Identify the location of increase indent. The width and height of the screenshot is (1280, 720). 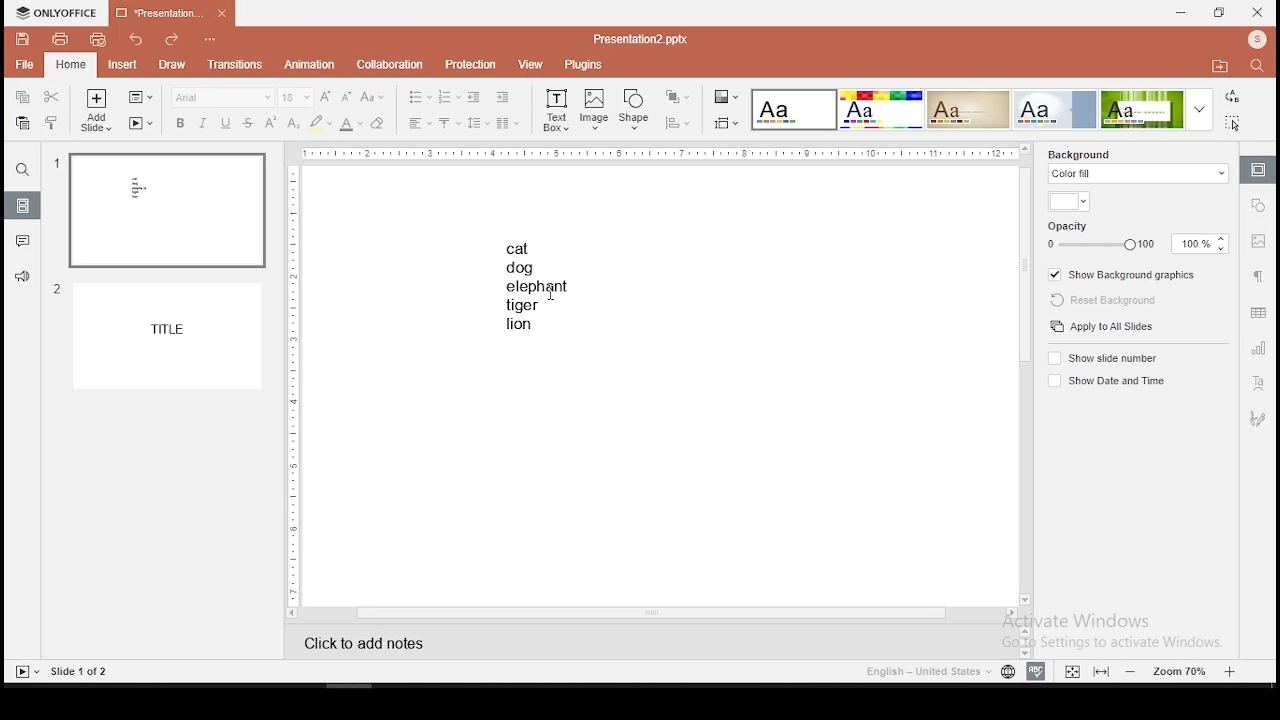
(504, 98).